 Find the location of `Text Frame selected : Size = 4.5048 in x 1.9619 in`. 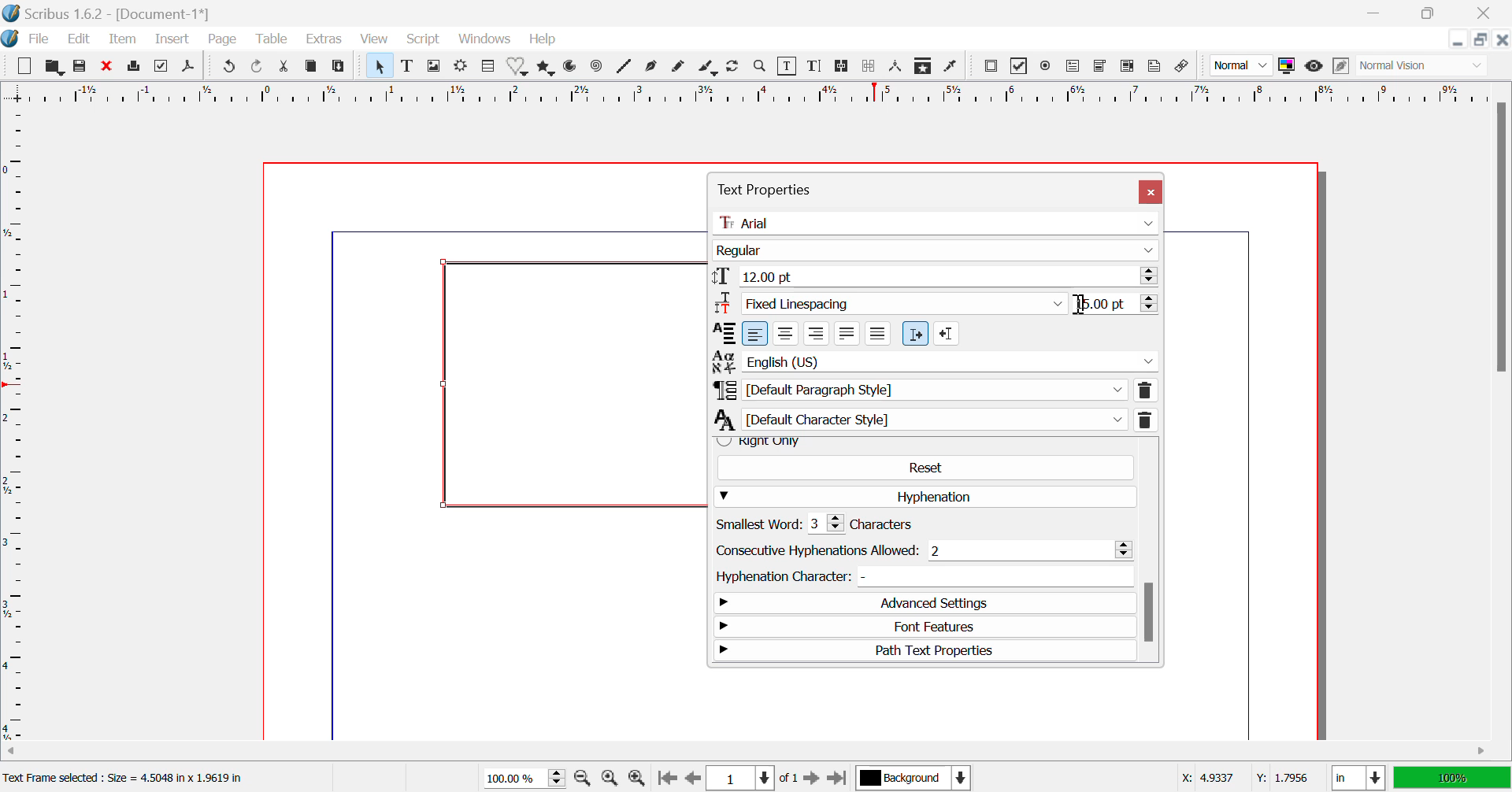

Text Frame selected : Size = 4.5048 in x 1.9619 in is located at coordinates (130, 778).